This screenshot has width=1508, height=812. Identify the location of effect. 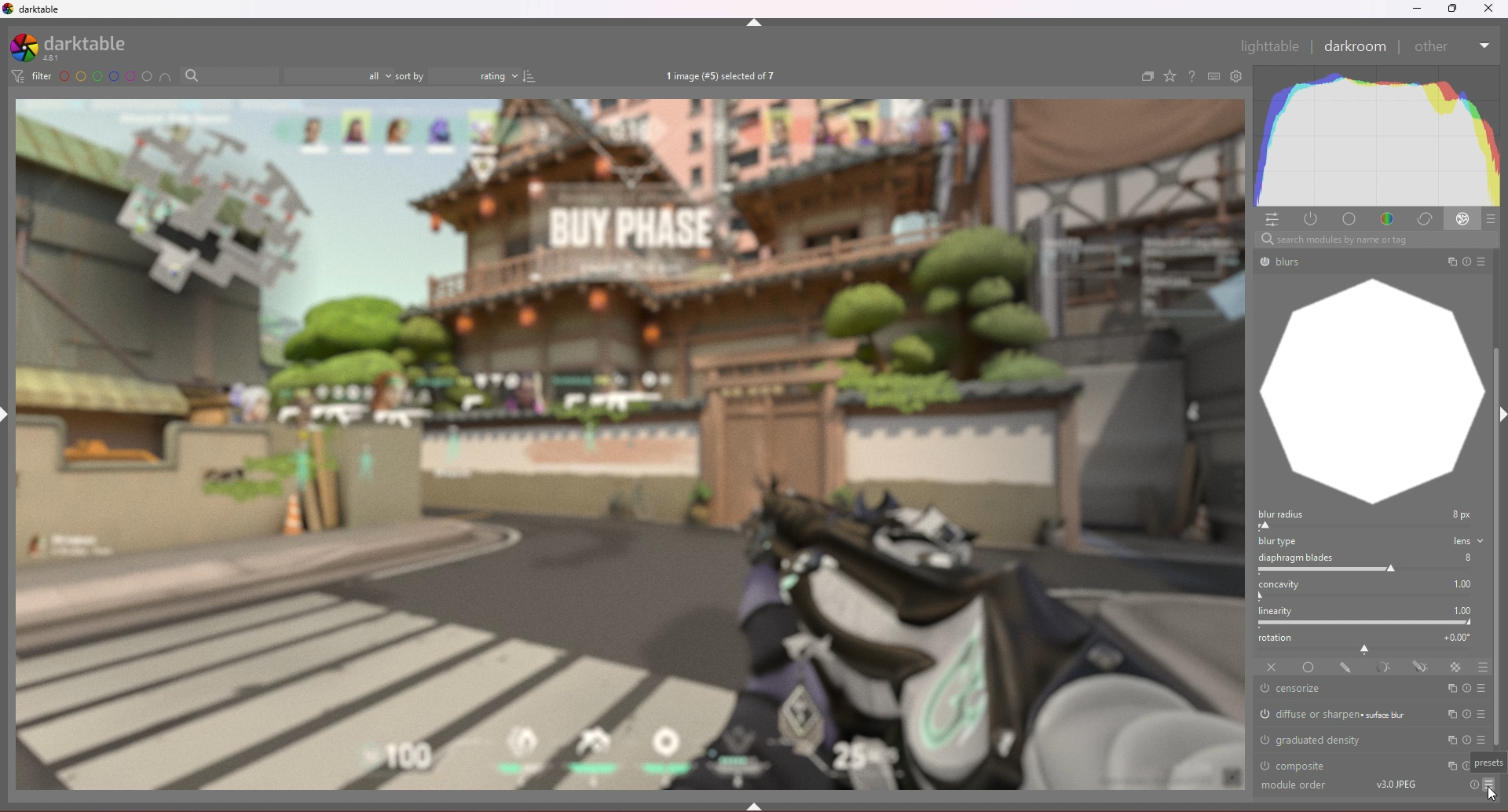
(1463, 218).